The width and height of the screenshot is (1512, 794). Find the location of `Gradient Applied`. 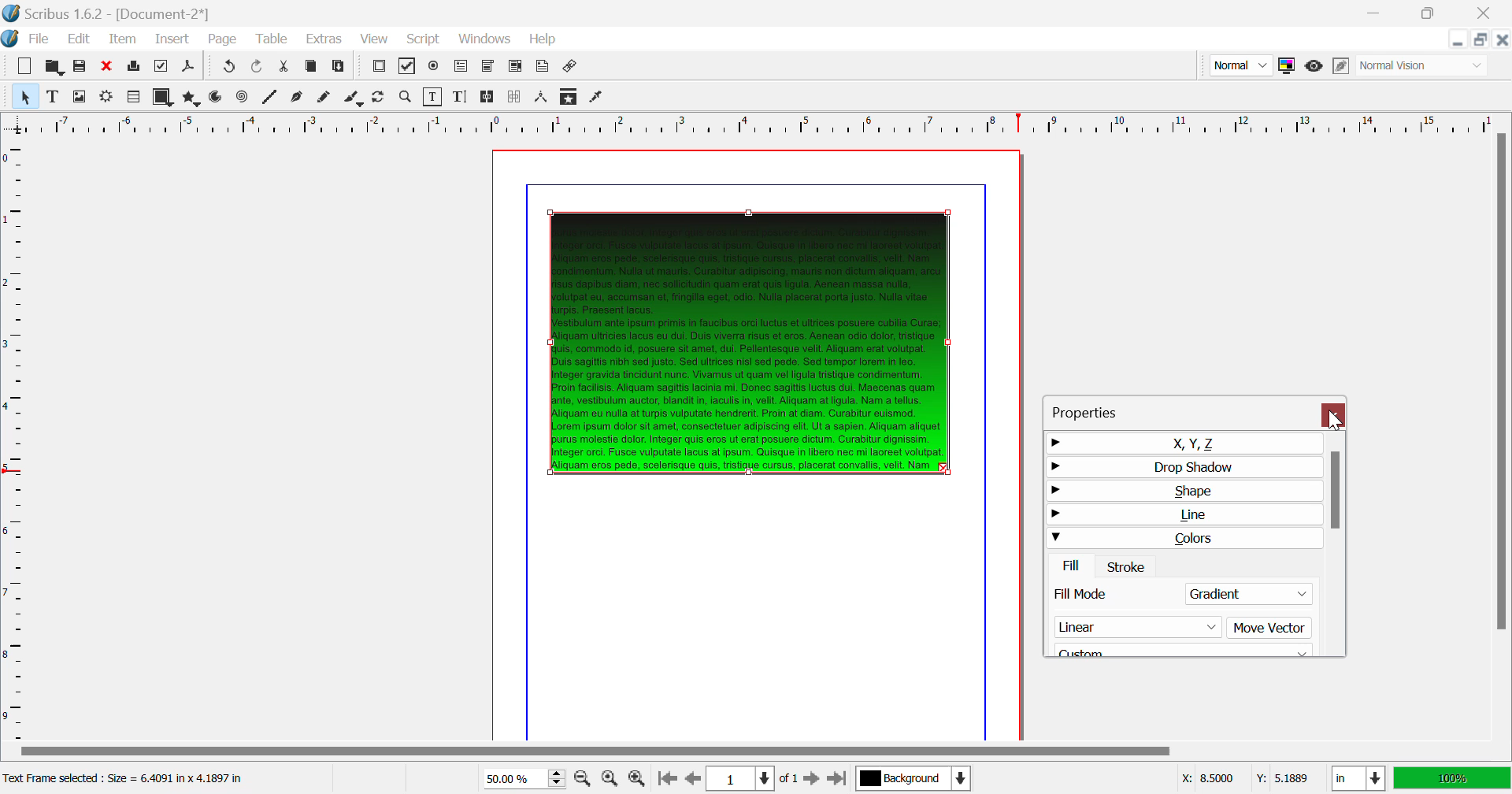

Gradient Applied is located at coordinates (751, 339).